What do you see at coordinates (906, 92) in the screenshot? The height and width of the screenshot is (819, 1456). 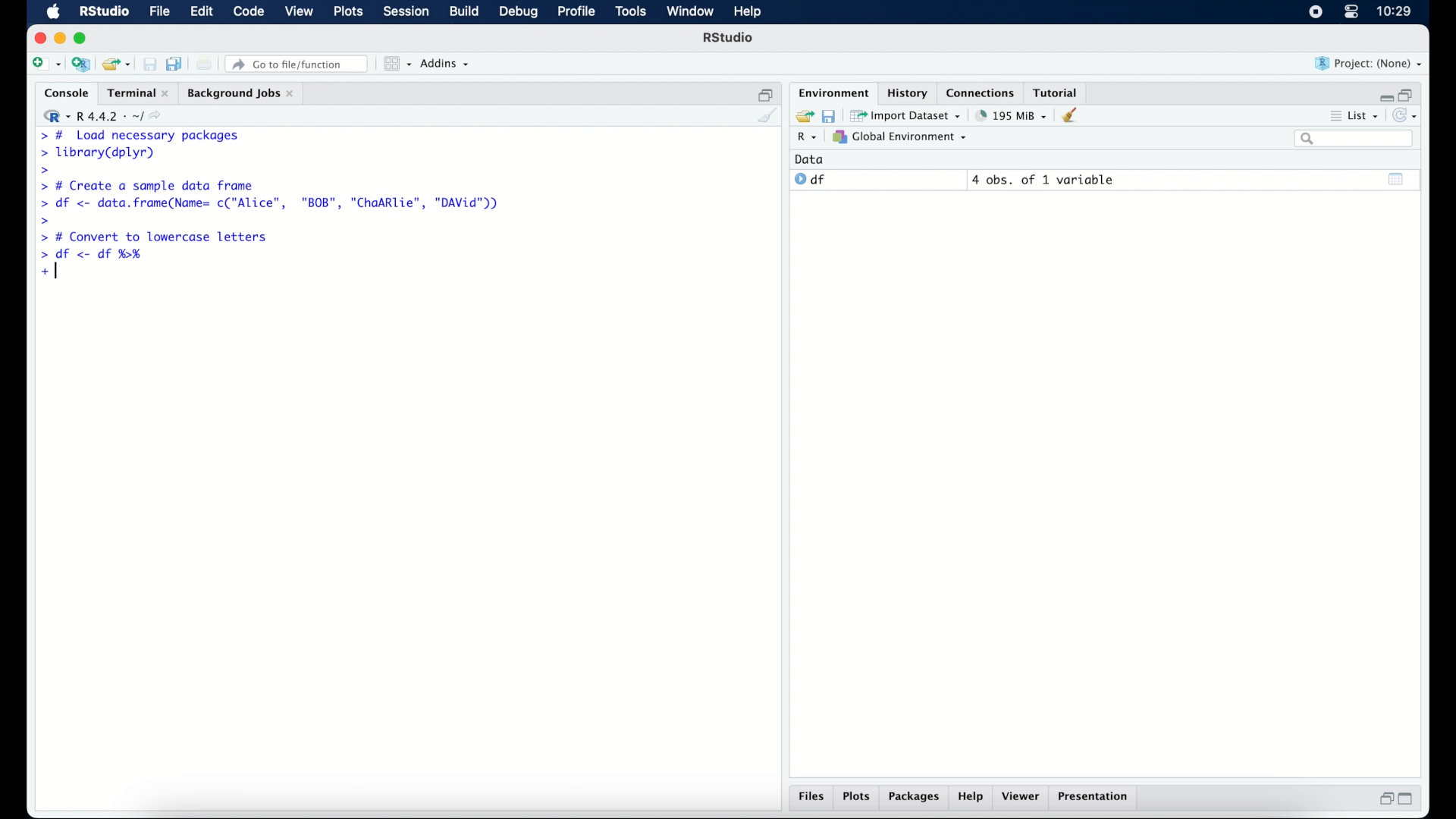 I see `history` at bounding box center [906, 92].